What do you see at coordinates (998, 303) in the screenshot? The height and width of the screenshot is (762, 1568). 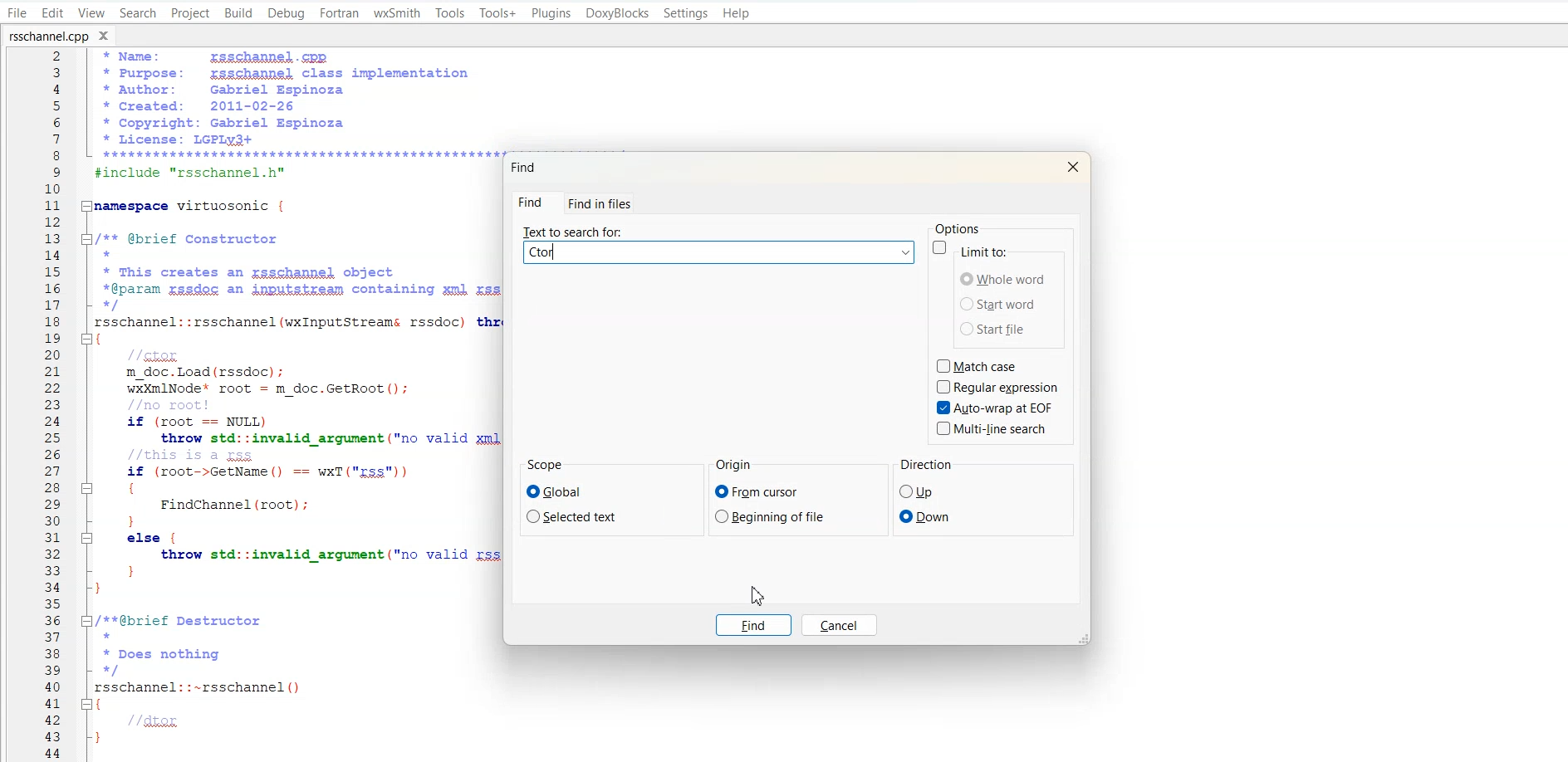 I see `Start word` at bounding box center [998, 303].